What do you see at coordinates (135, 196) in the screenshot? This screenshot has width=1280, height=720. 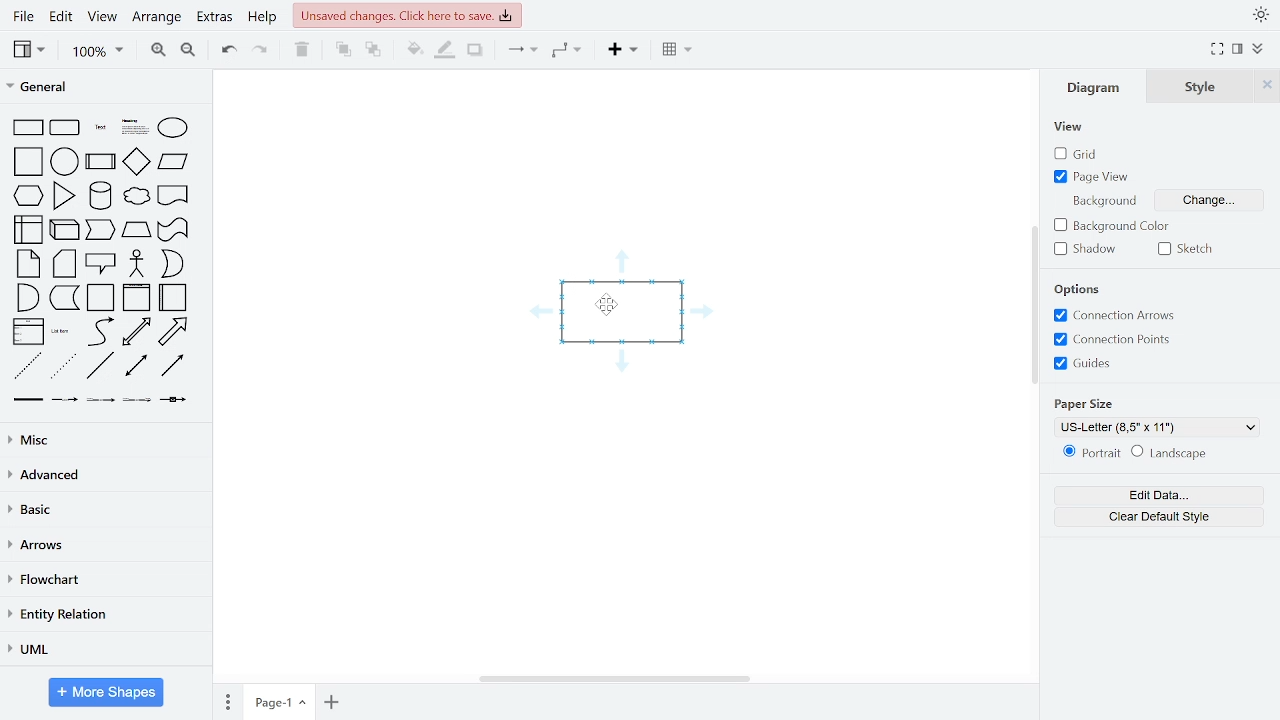 I see `cloud` at bounding box center [135, 196].